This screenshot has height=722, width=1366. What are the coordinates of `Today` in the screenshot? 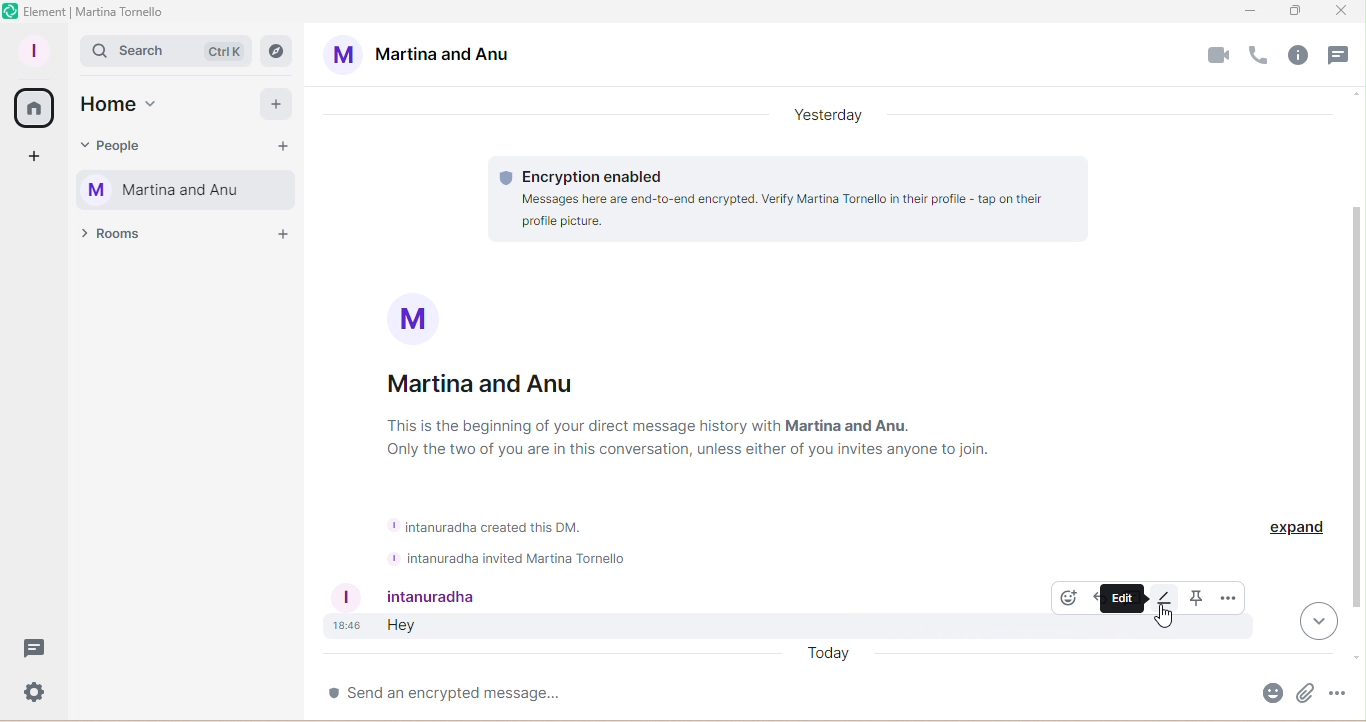 It's located at (823, 656).